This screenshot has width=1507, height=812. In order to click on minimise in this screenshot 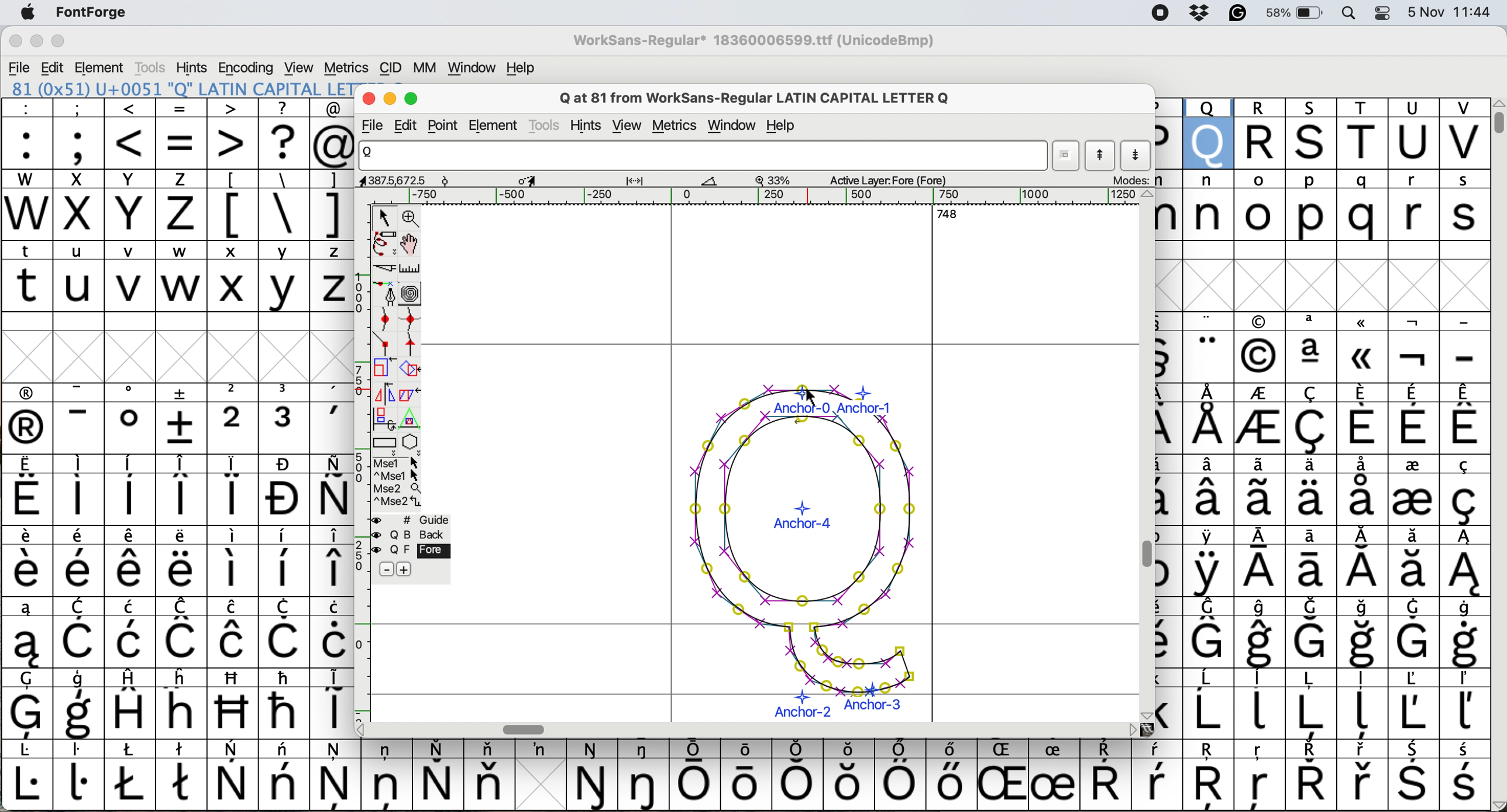, I will do `click(33, 40)`.